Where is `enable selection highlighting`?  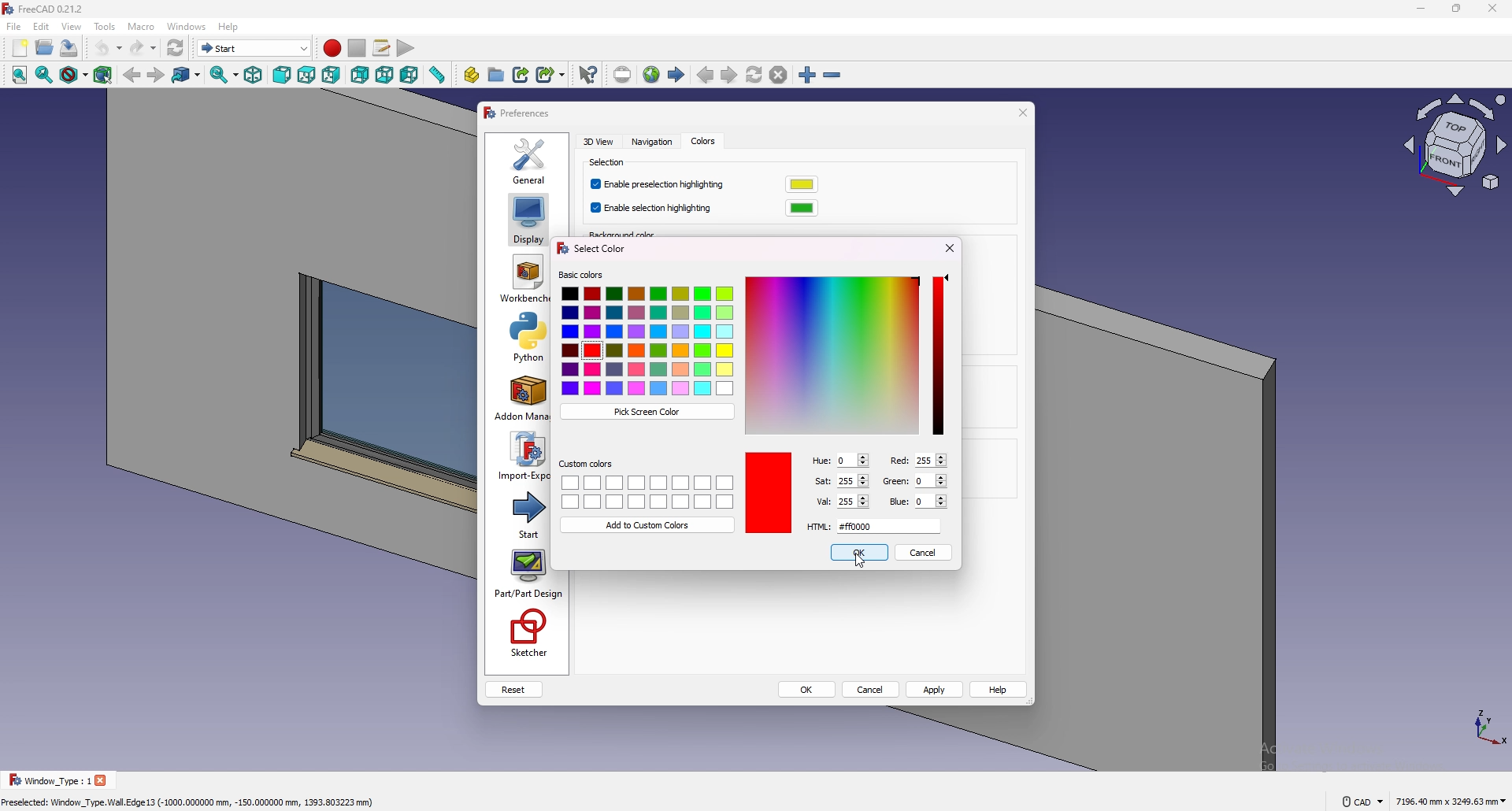 enable selection highlighting is located at coordinates (654, 209).